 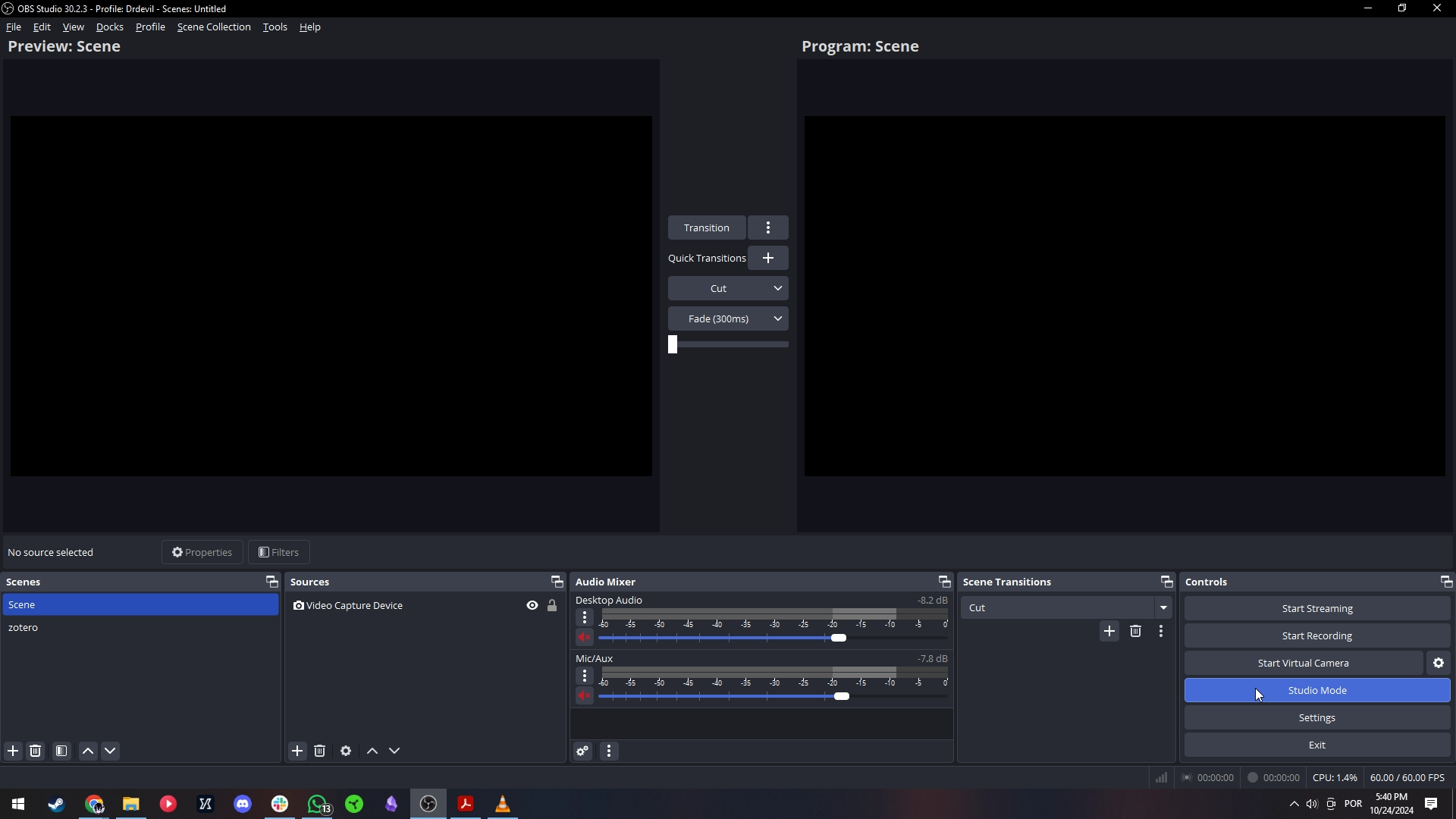 What do you see at coordinates (1332, 805) in the screenshot?
I see `meet` at bounding box center [1332, 805].